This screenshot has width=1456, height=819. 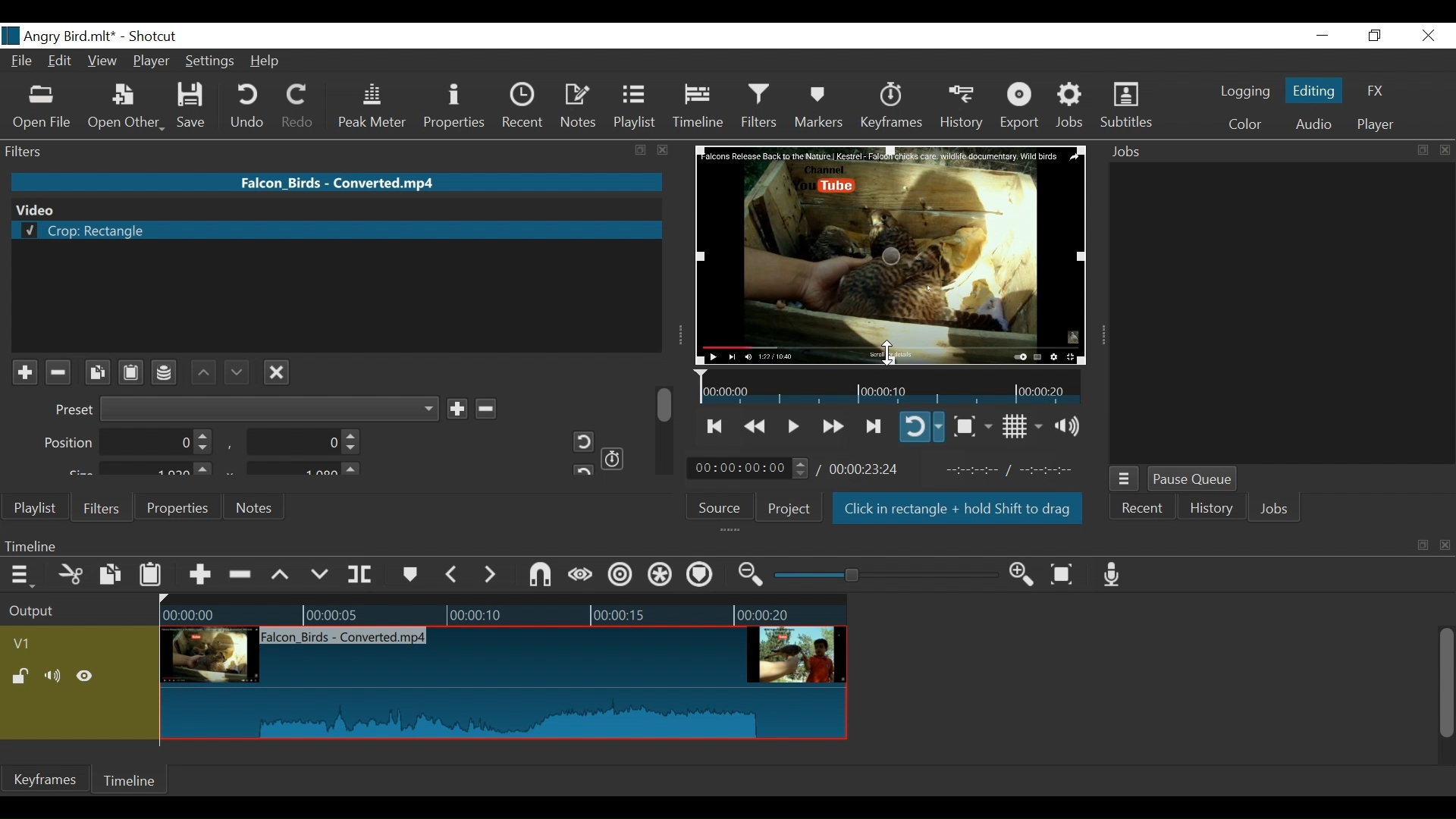 I want to click on Split at playhead, so click(x=360, y=575).